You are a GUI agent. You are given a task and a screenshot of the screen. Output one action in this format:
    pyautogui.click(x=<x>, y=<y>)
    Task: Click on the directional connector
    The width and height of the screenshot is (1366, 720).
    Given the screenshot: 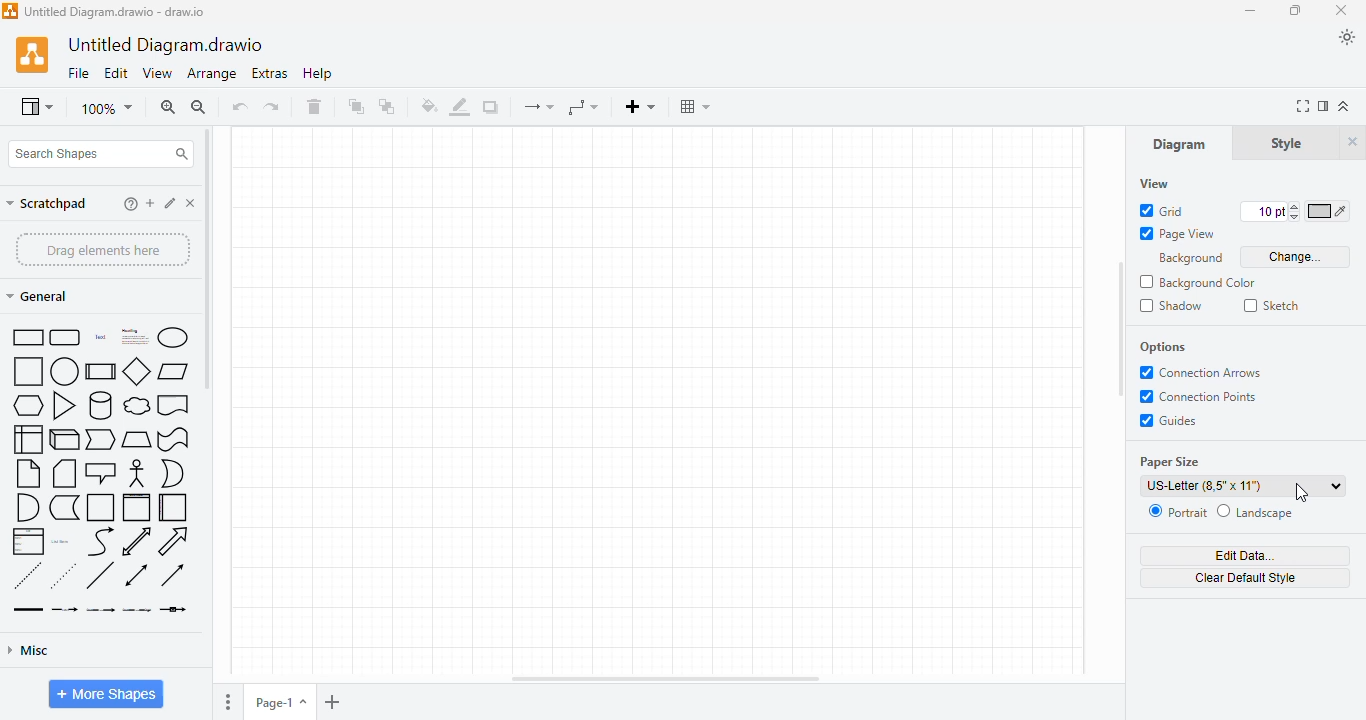 What is the action you would take?
    pyautogui.click(x=172, y=574)
    